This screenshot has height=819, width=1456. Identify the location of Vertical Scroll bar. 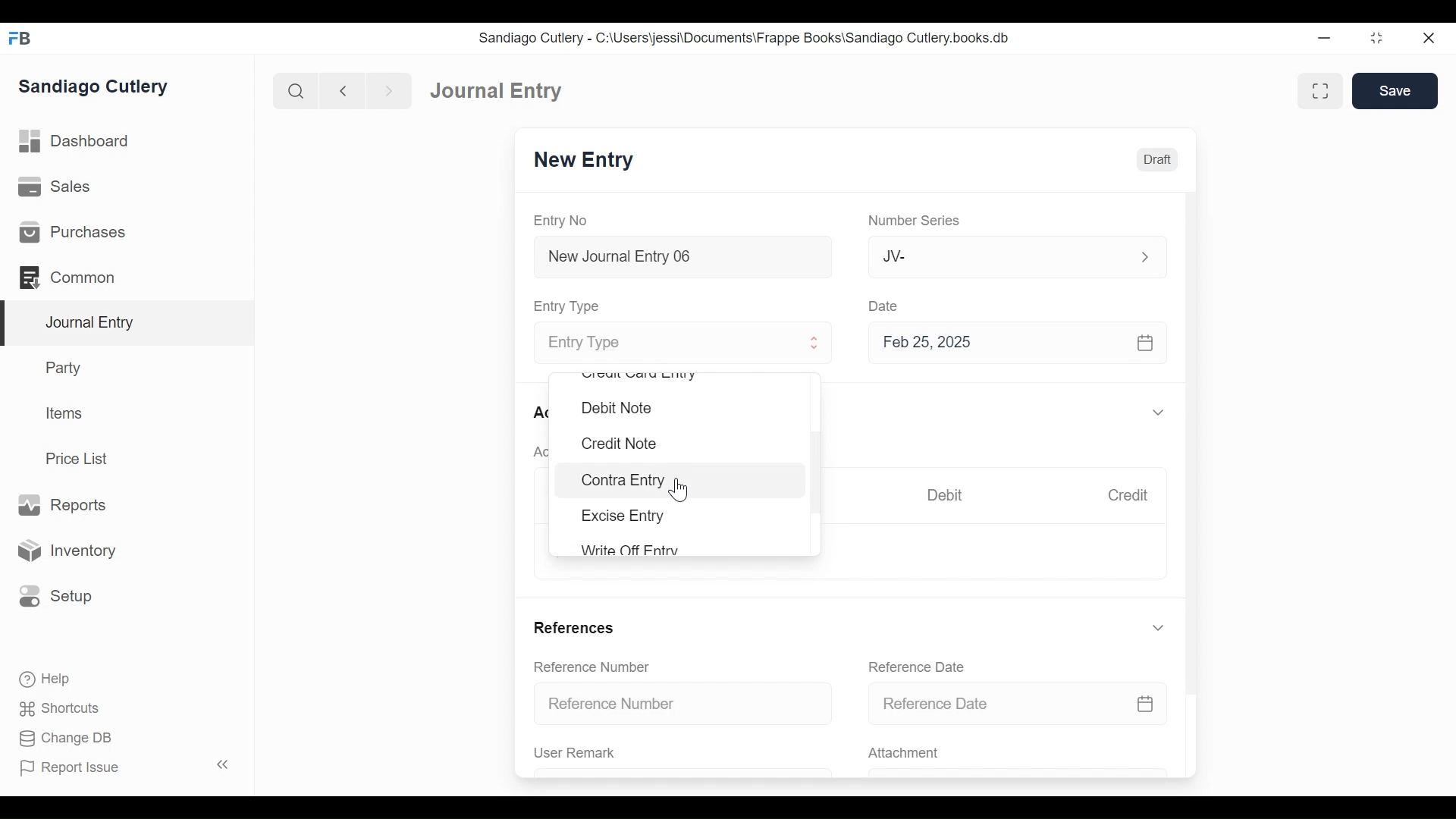
(816, 473).